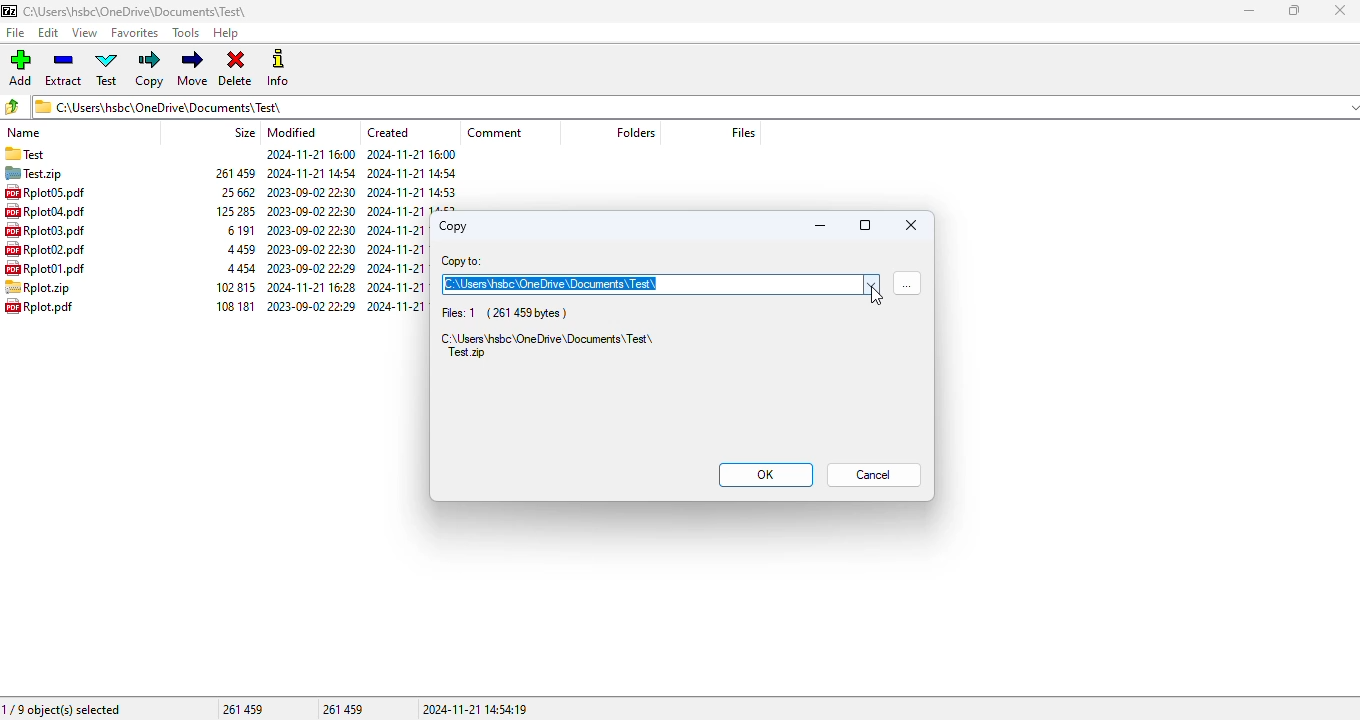 The image size is (1360, 720). Describe the element at coordinates (311, 154) in the screenshot. I see `modified date & time` at that location.